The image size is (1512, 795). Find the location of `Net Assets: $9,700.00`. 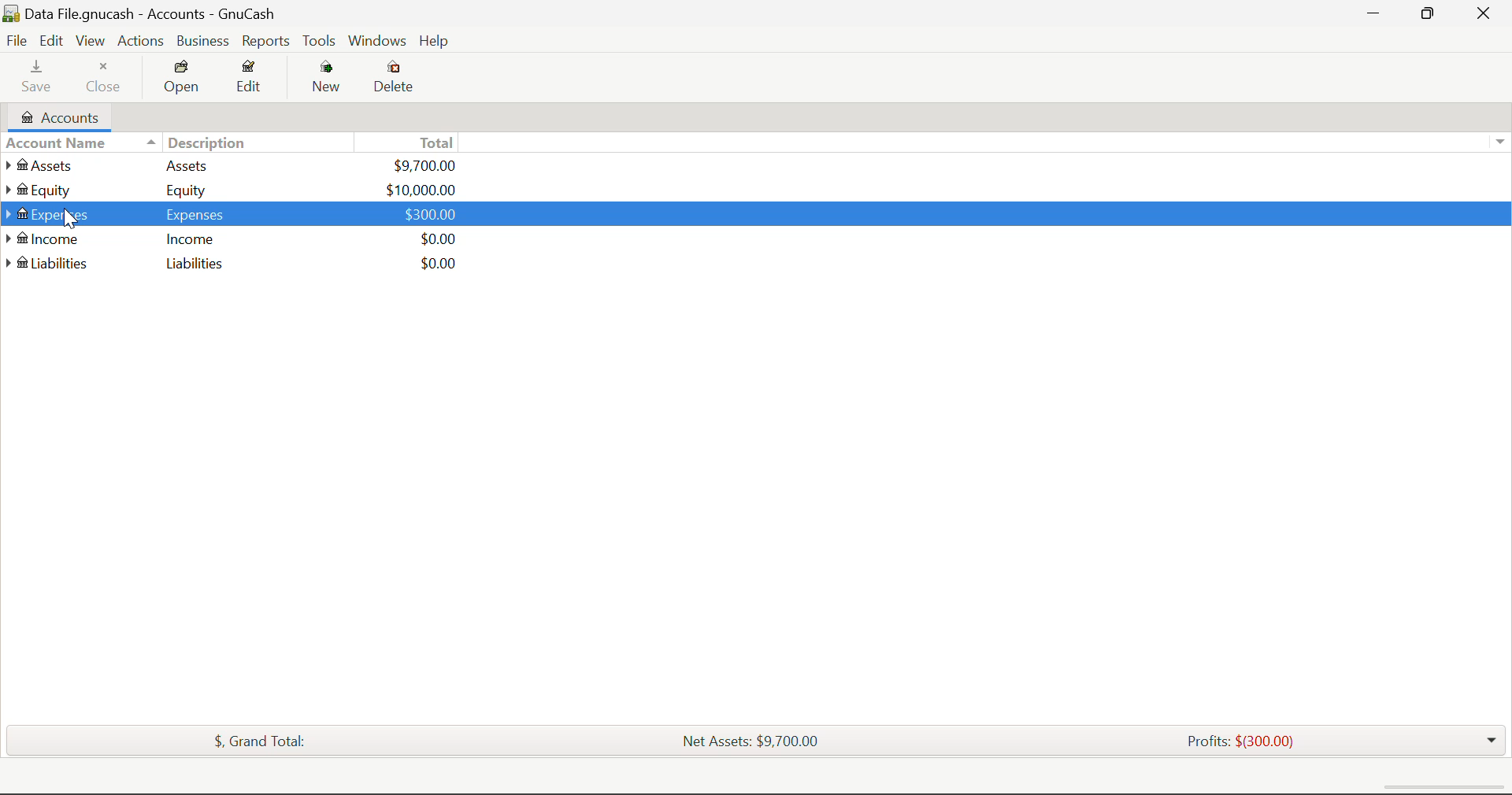

Net Assets: $9,700.00 is located at coordinates (747, 741).